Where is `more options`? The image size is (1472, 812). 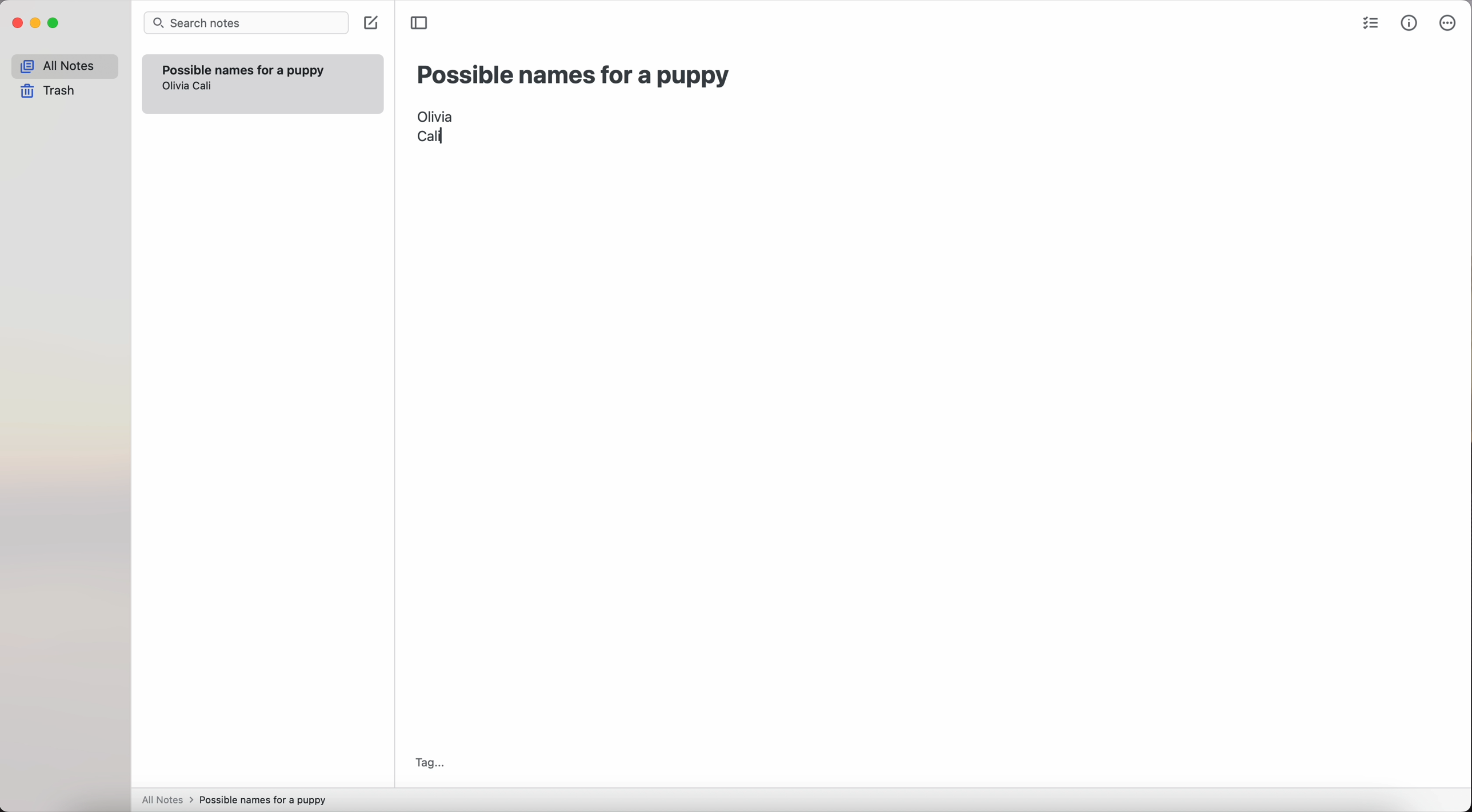 more options is located at coordinates (1449, 24).